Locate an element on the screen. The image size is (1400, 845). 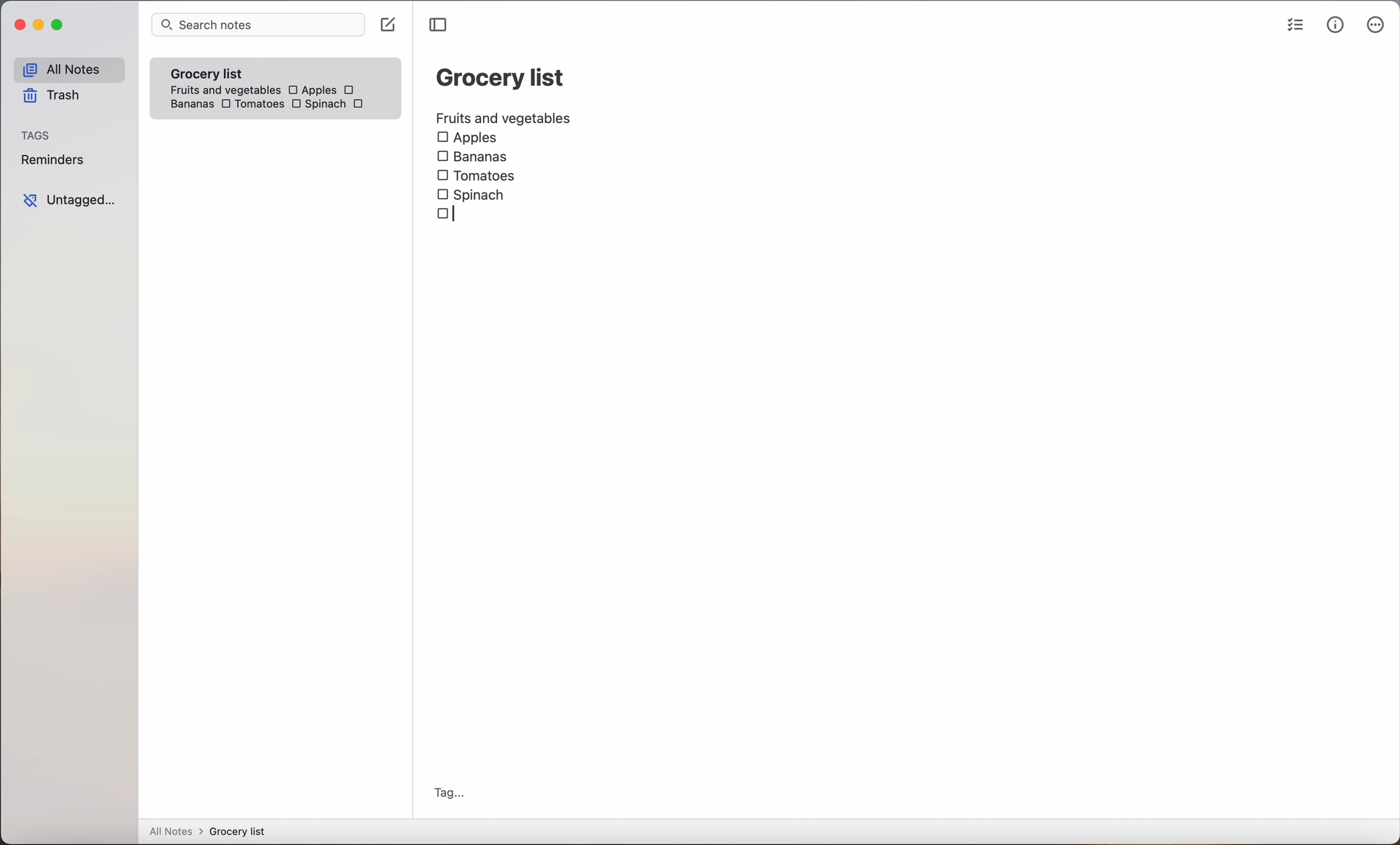
tag is located at coordinates (449, 793).